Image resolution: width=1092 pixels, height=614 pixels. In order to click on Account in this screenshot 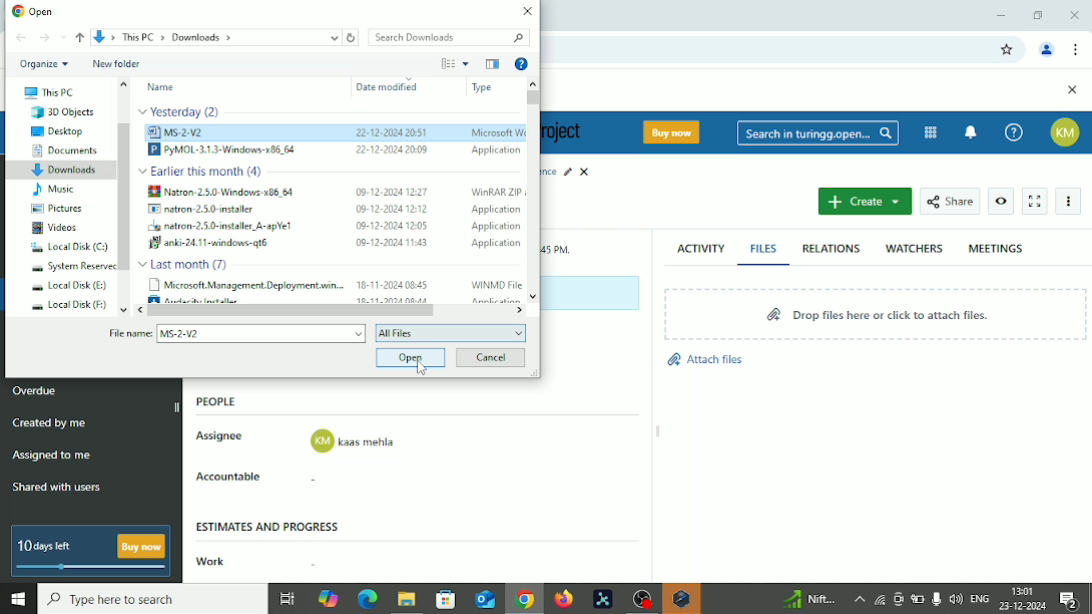, I will do `click(1047, 51)`.